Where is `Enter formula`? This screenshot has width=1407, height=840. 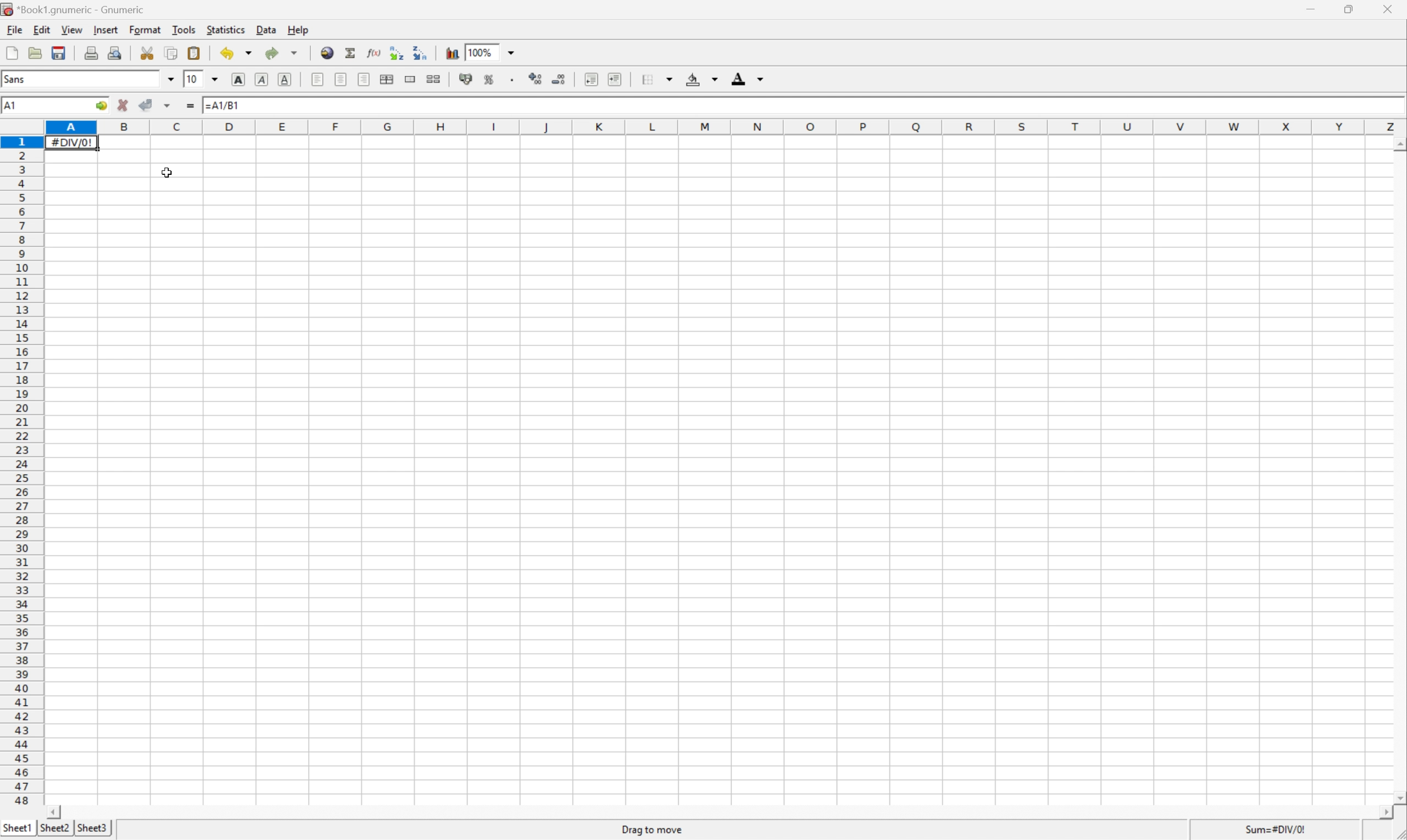
Enter formula is located at coordinates (189, 104).